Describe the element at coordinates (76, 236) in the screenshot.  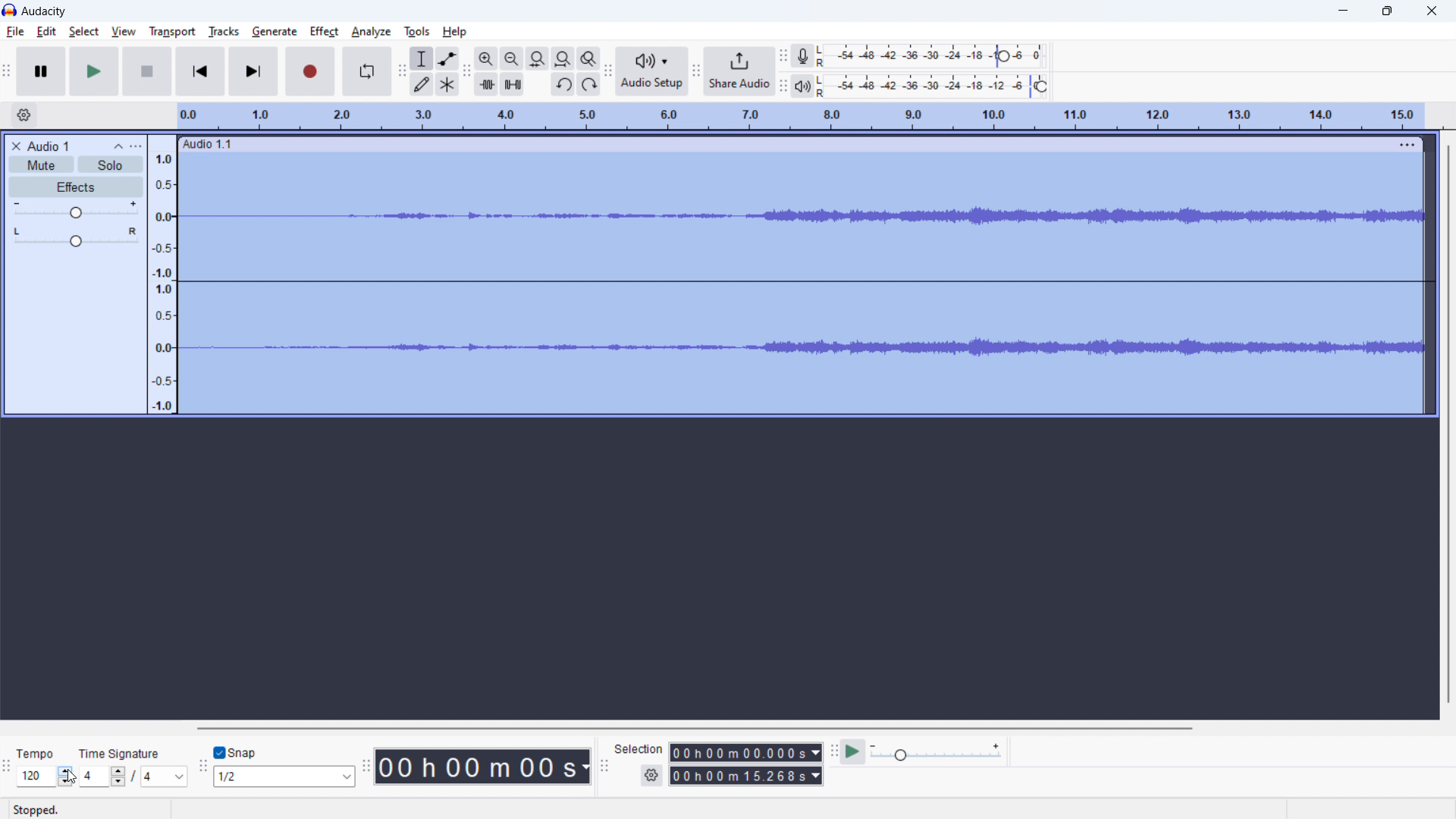
I see `pan: center` at that location.